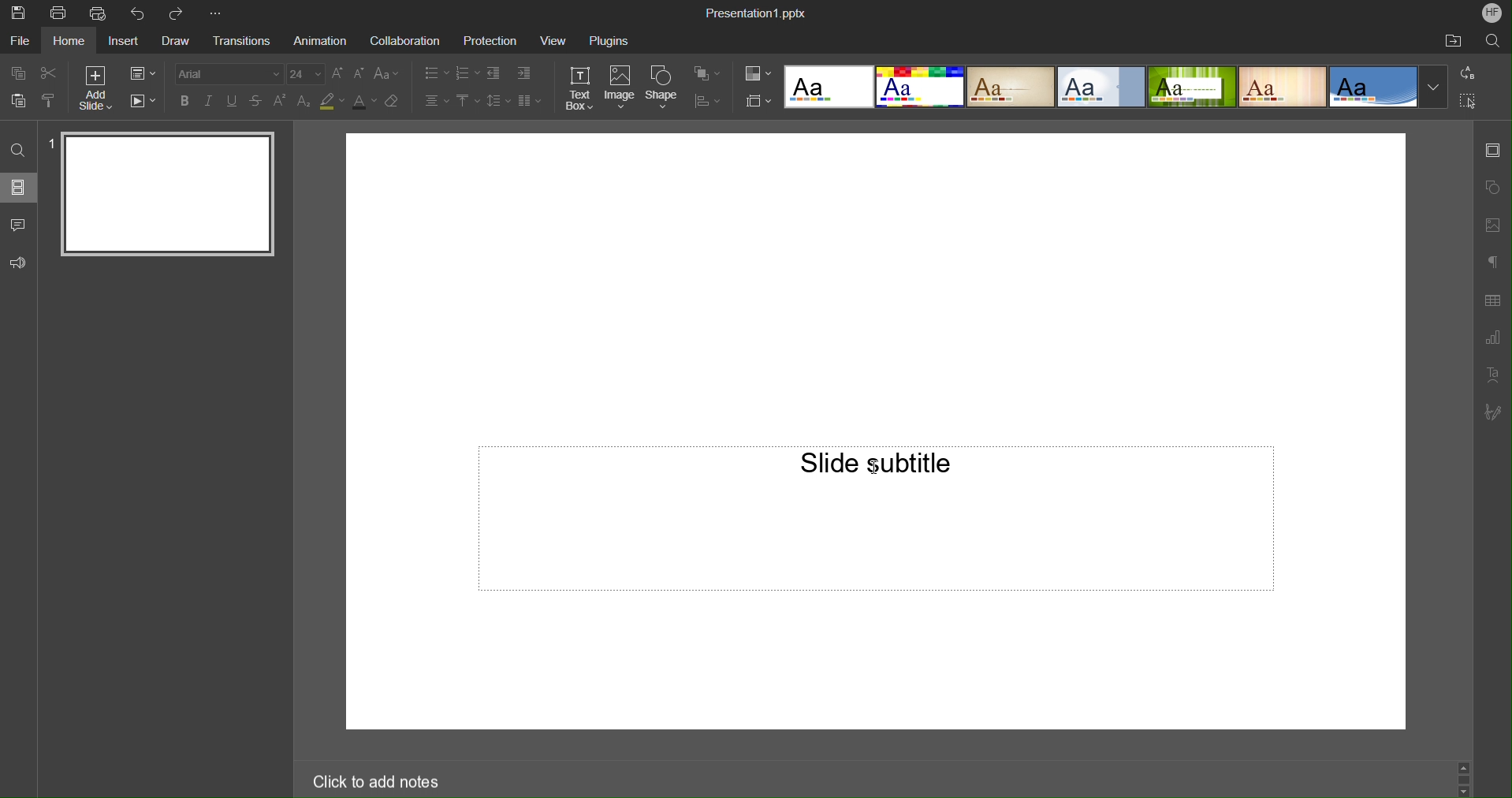  I want to click on Plugins, so click(607, 40).